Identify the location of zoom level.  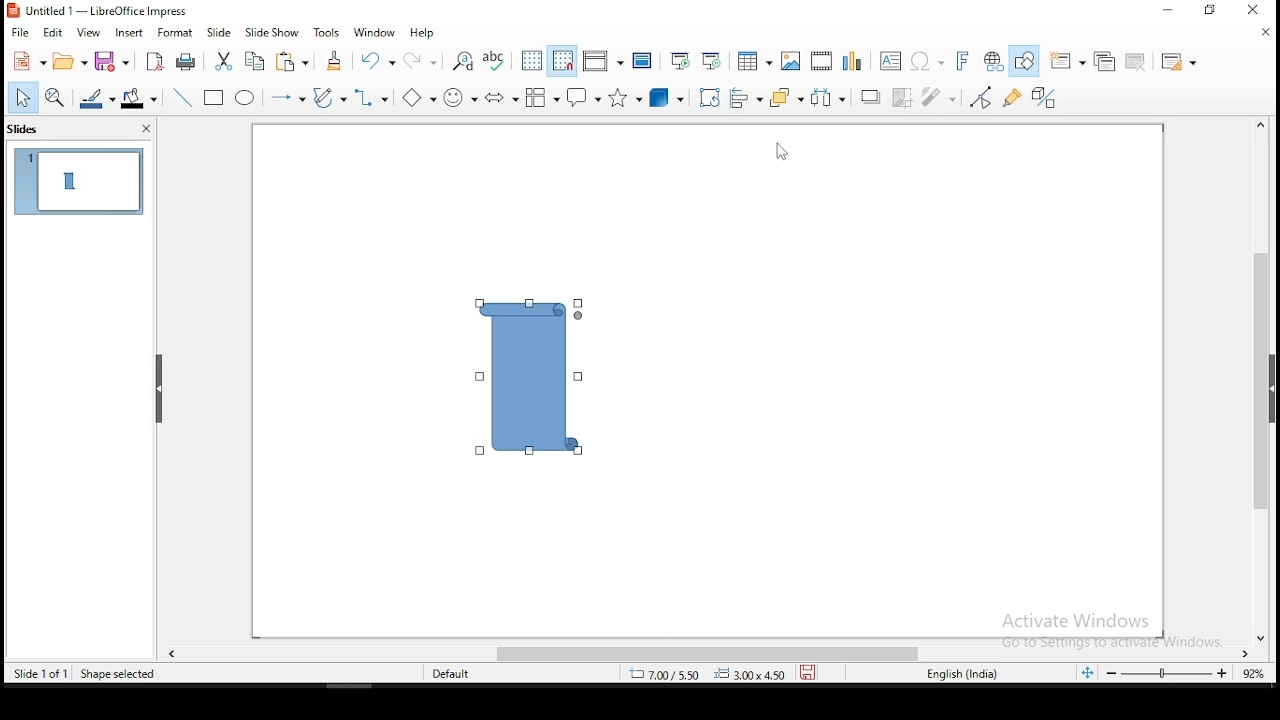
(1251, 672).